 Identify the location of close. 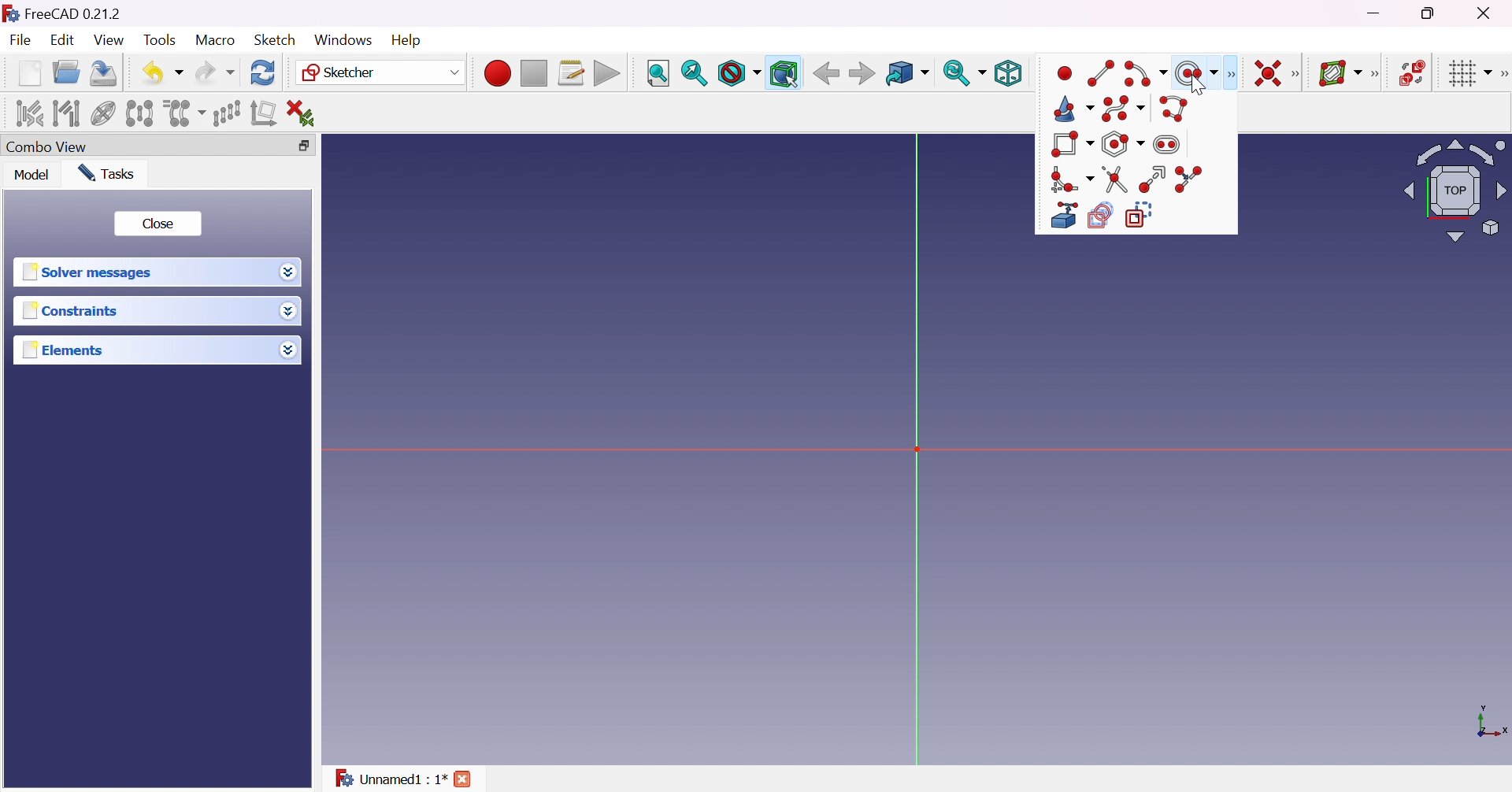
(465, 779).